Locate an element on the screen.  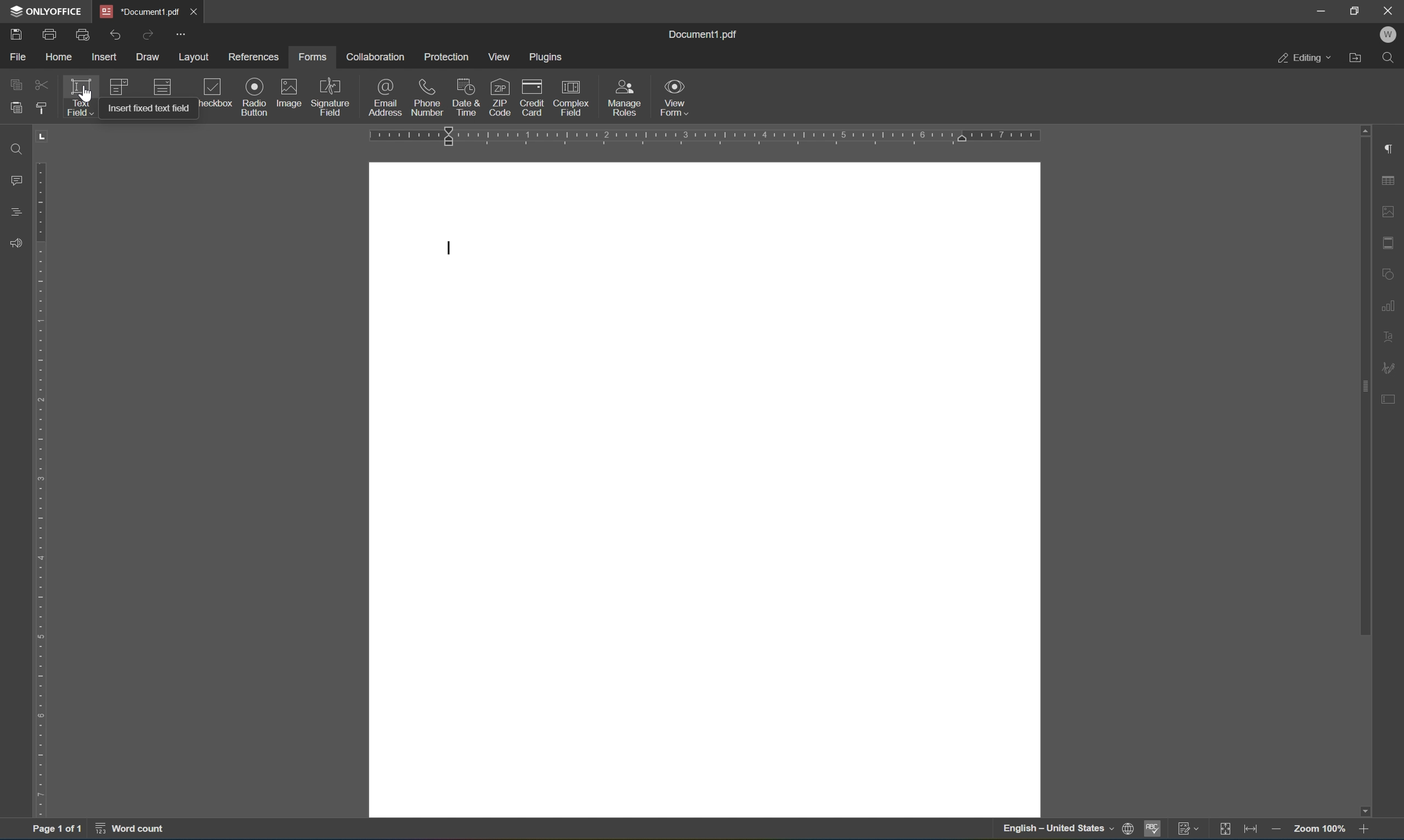
complex field is located at coordinates (570, 98).